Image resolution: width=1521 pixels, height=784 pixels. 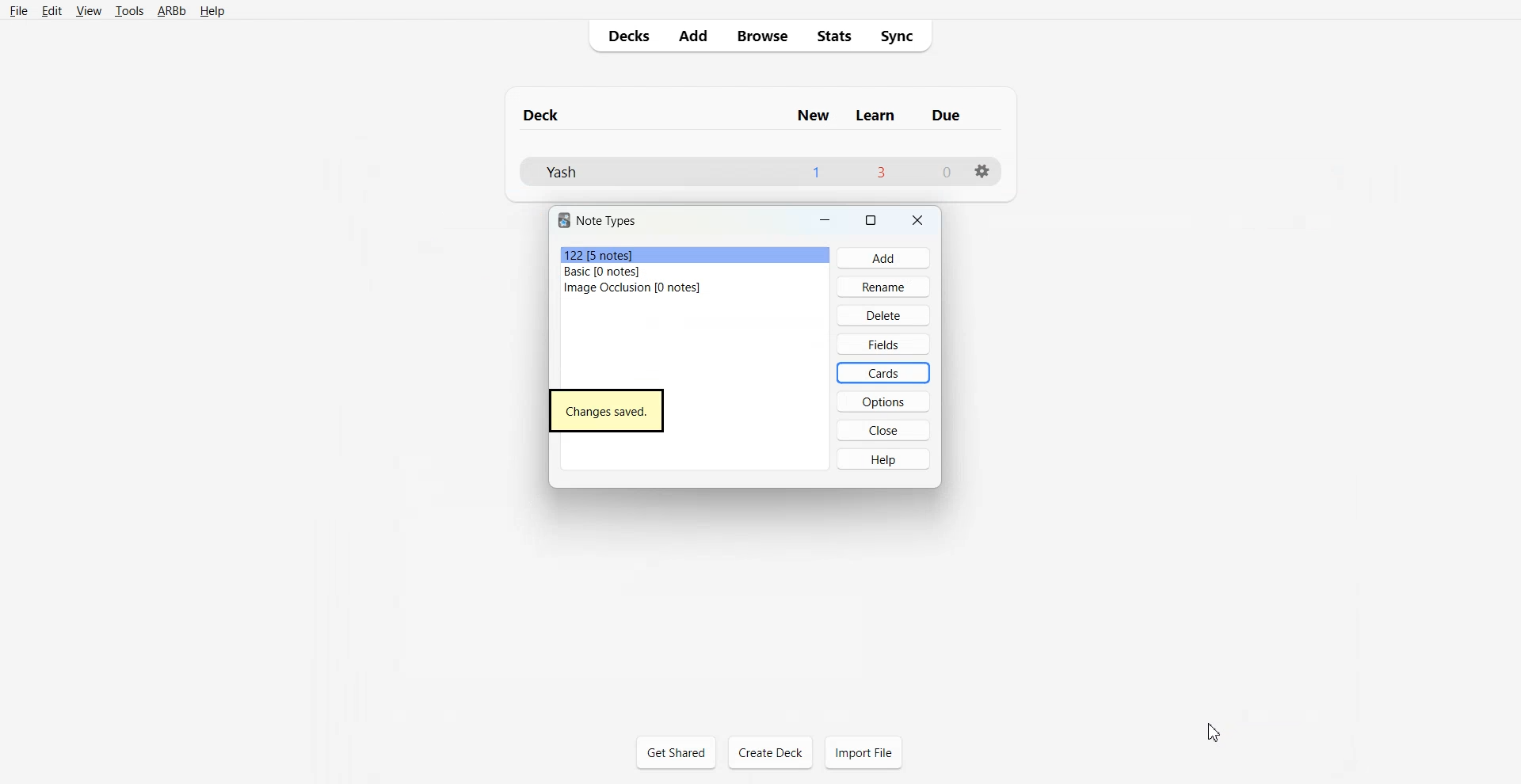 What do you see at coordinates (606, 219) in the screenshot?
I see `note types` at bounding box center [606, 219].